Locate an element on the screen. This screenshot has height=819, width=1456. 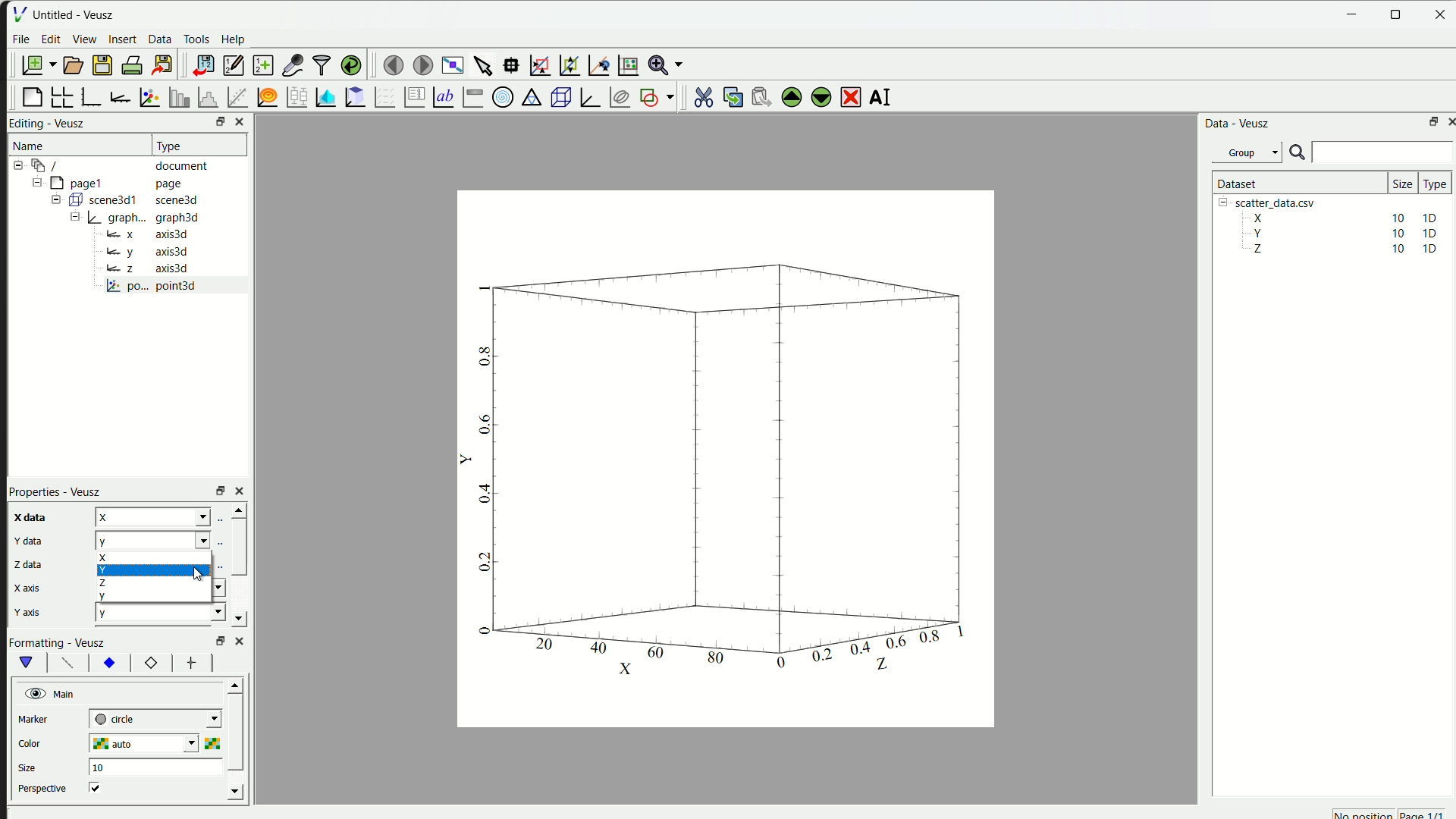
left right button is located at coordinates (234, 663).